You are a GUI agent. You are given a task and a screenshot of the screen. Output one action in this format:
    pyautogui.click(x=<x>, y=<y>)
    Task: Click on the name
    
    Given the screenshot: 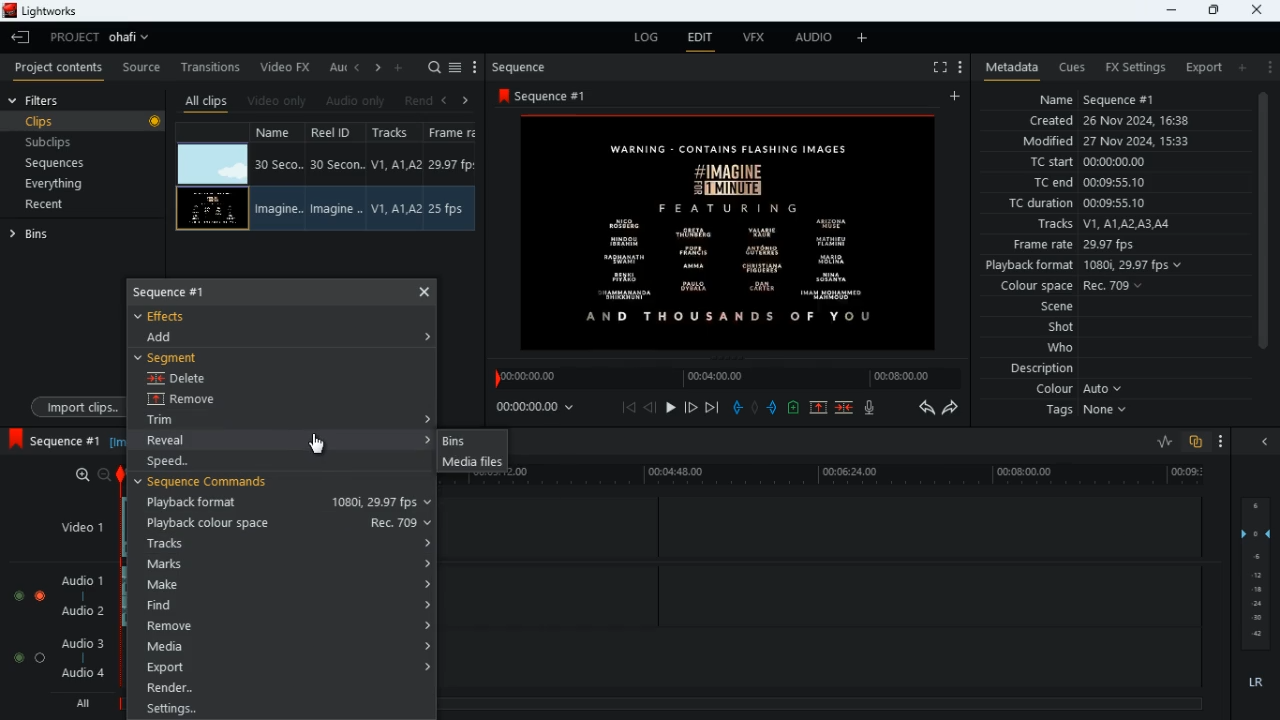 What is the action you would take?
    pyautogui.click(x=278, y=134)
    